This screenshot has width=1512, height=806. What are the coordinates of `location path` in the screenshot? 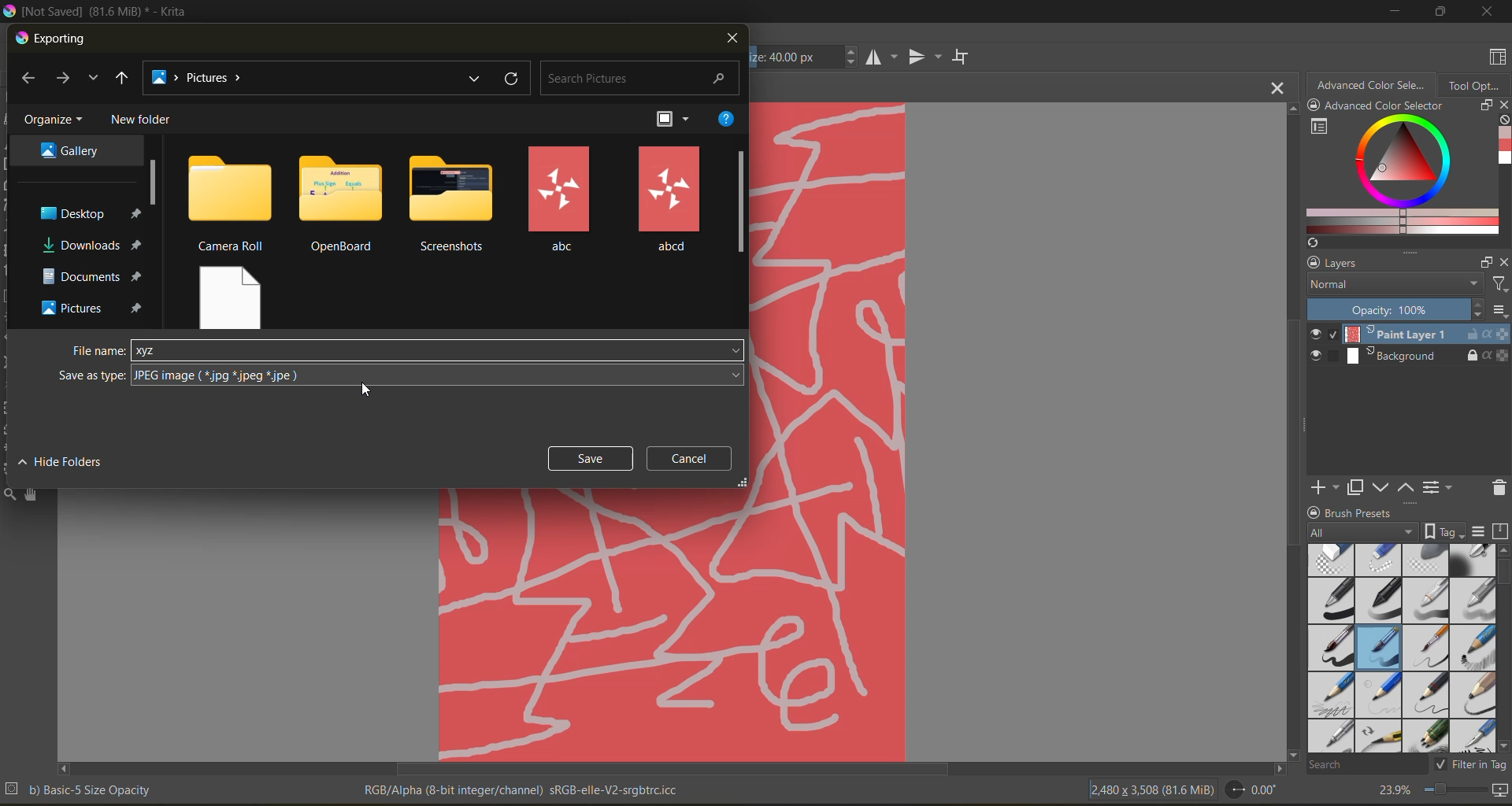 It's located at (203, 79).